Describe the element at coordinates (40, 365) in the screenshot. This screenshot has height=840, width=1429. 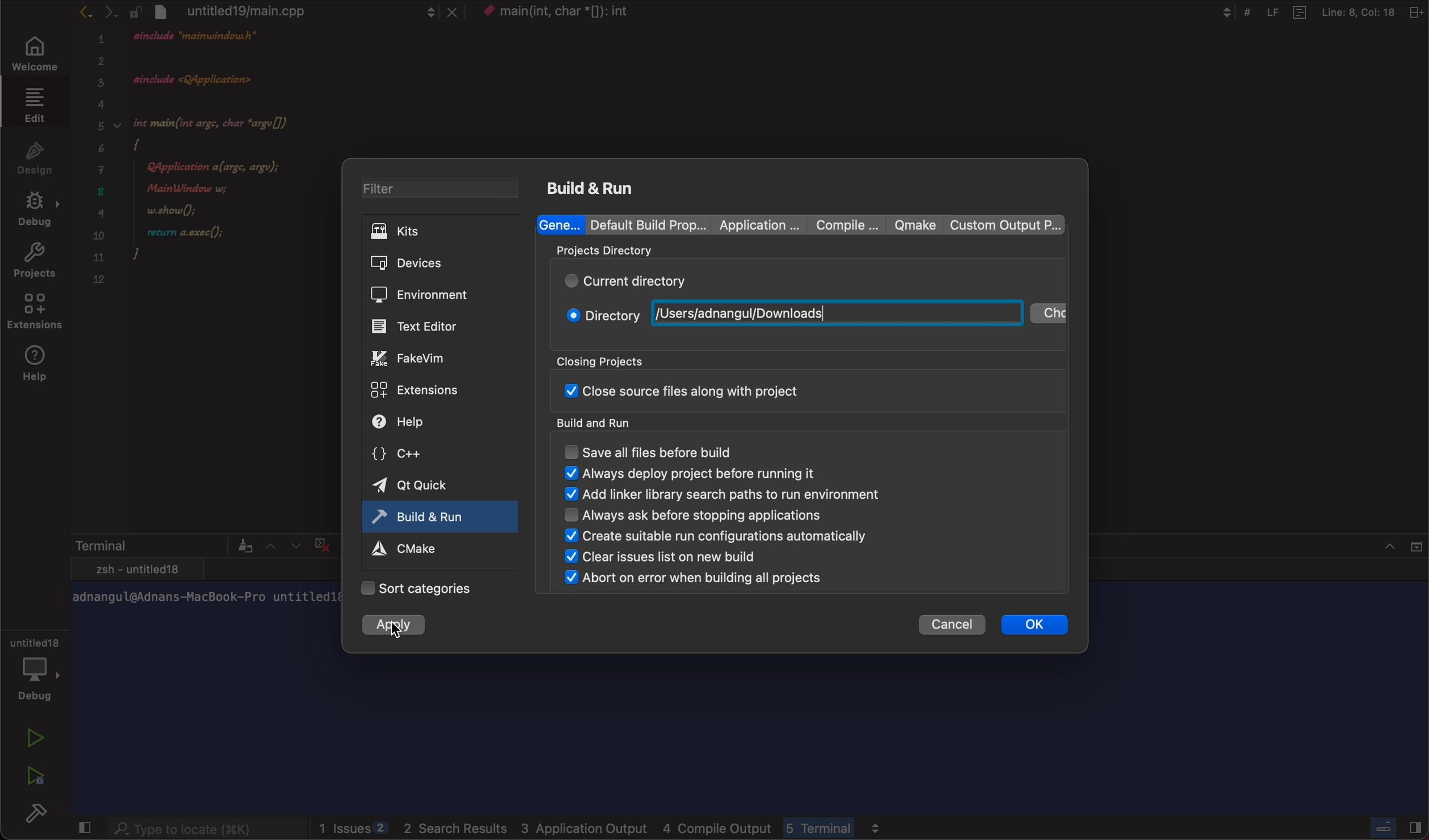
I see `help` at that location.